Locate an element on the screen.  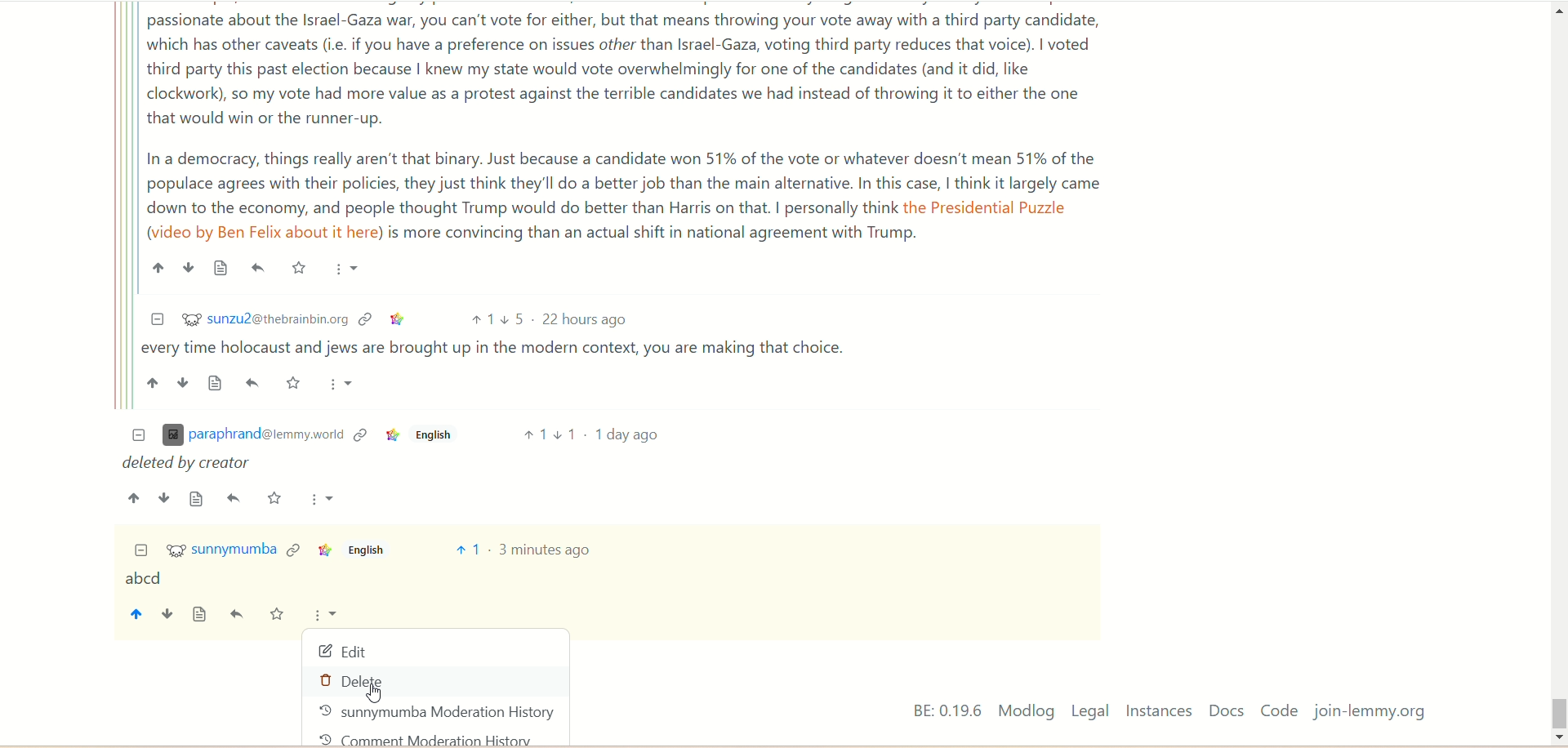
more is located at coordinates (327, 617).